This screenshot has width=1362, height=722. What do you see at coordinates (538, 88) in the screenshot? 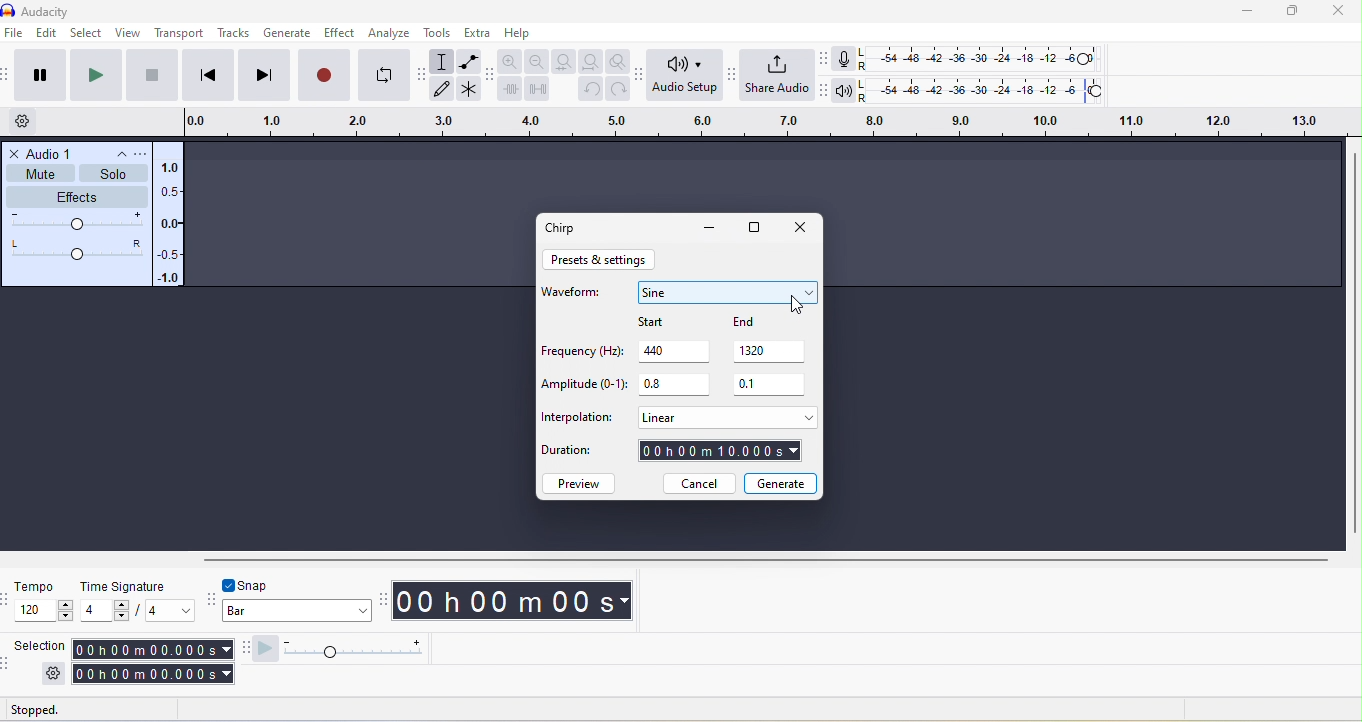
I see `silence audio selection` at bounding box center [538, 88].